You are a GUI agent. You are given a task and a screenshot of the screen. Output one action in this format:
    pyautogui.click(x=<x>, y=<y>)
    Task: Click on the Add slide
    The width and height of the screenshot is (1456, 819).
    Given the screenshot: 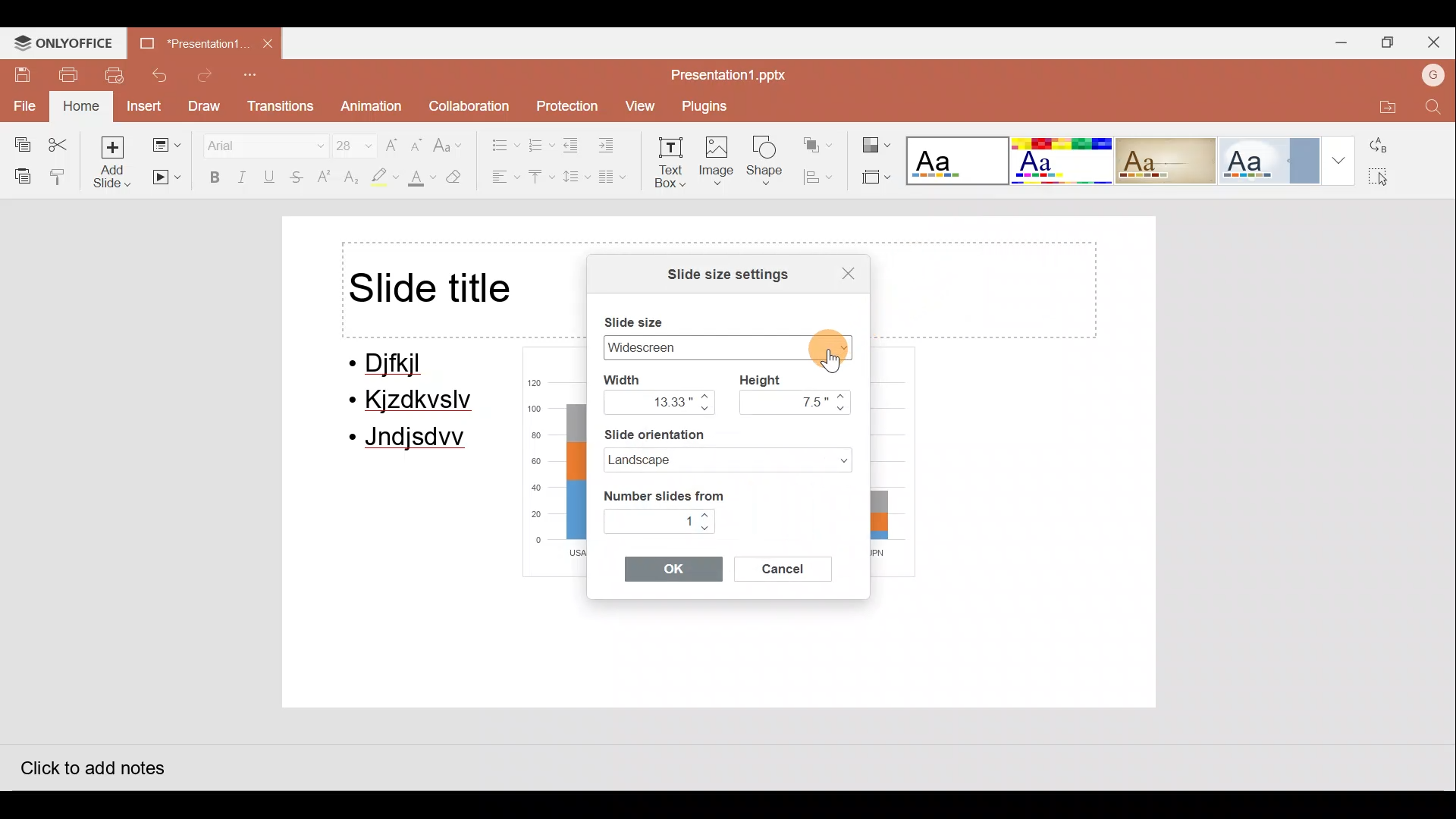 What is the action you would take?
    pyautogui.click(x=113, y=162)
    